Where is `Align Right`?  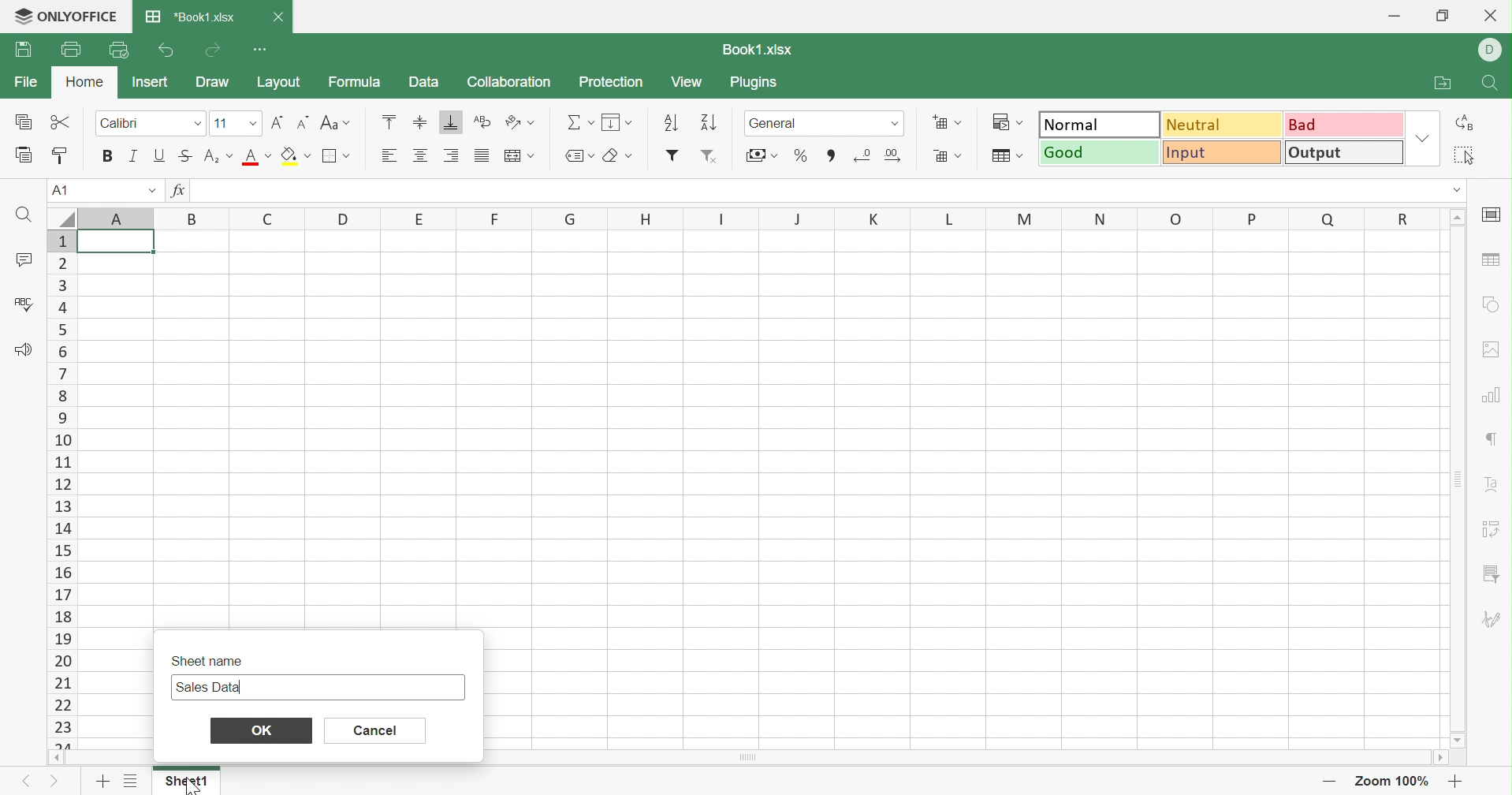 Align Right is located at coordinates (452, 157).